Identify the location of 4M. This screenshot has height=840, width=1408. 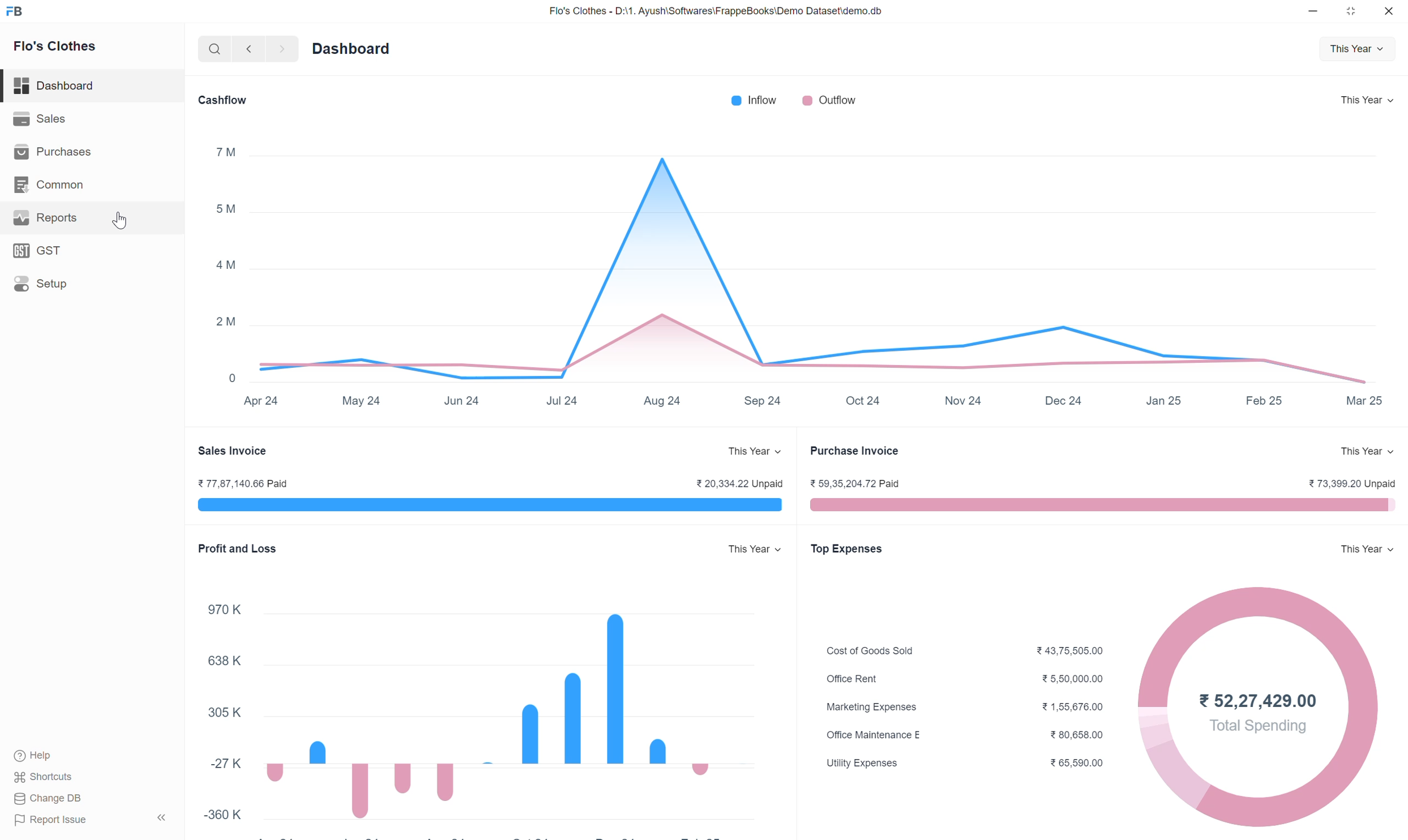
(224, 268).